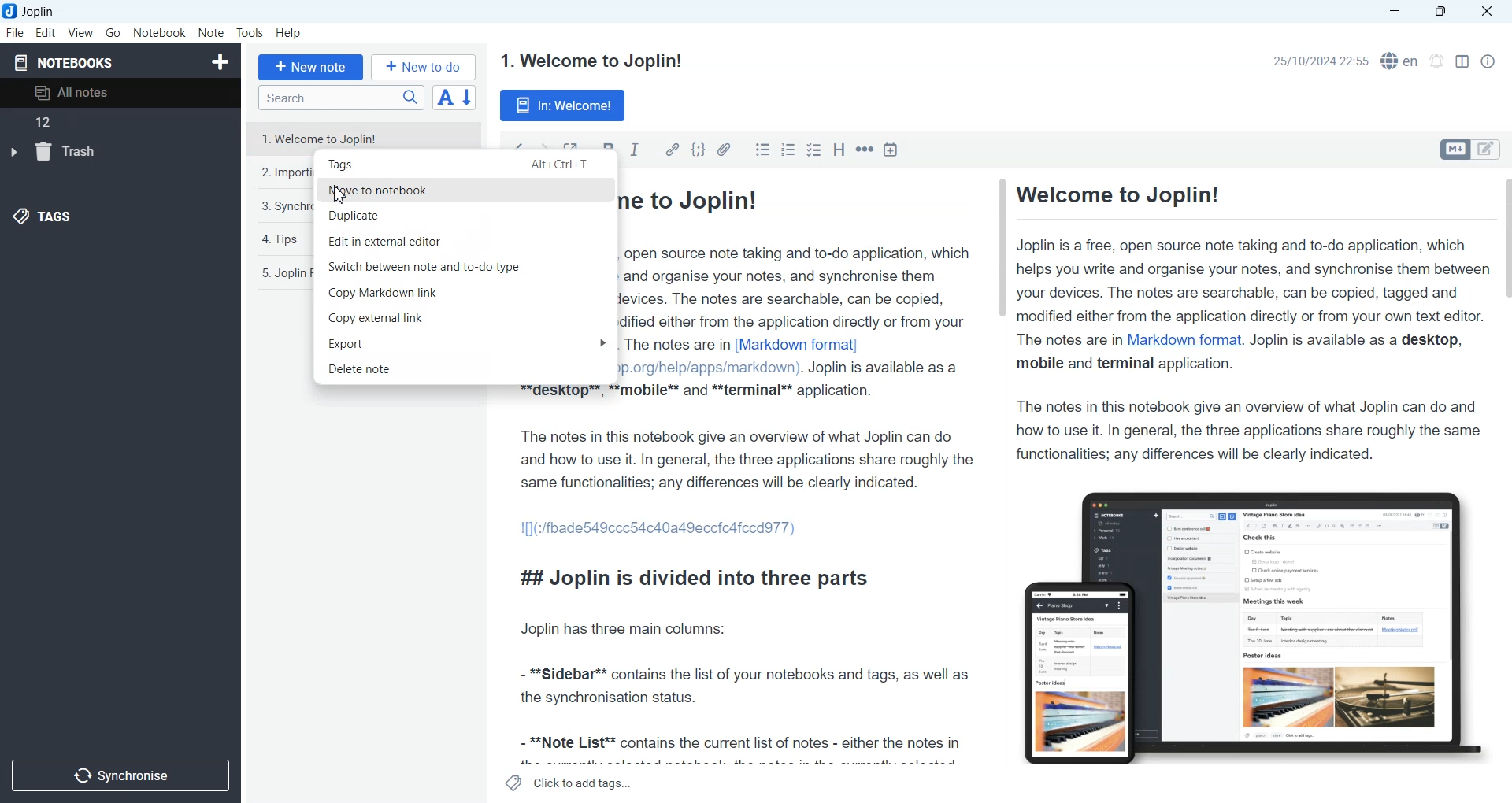 This screenshot has height=803, width=1512. I want to click on # Welcome to Joplin!

Joplin is a free, open source note taking and to-do application, which
helps you write and organise your notes, and synchronise them
between your devices. The notes are searchable, can be copied,
tagged and modified either from the application directly or from your
own text editor. The notes are in [Markdown format]
(https://joplinapp.org/help/apps/markdown). Joplin is available as a
**desktop**, **mobile** and **terminal** application.

The notes in this notebook give an overview of what Joplin can do
and how to use it. In general, the three applications share roughly the
same functionalities; any differences will be clearly indicated.
1[](:/fbade549ccc54c40a49eccicafccdd77)

## Joplin is divided into three parts

Joplin has three main columns:

- **Sidebar** contains the list of your notebooks and tags, as well as
the synchronisation status.

- **Note List** contains the current list of notes - either the notes in, so click(746, 578).